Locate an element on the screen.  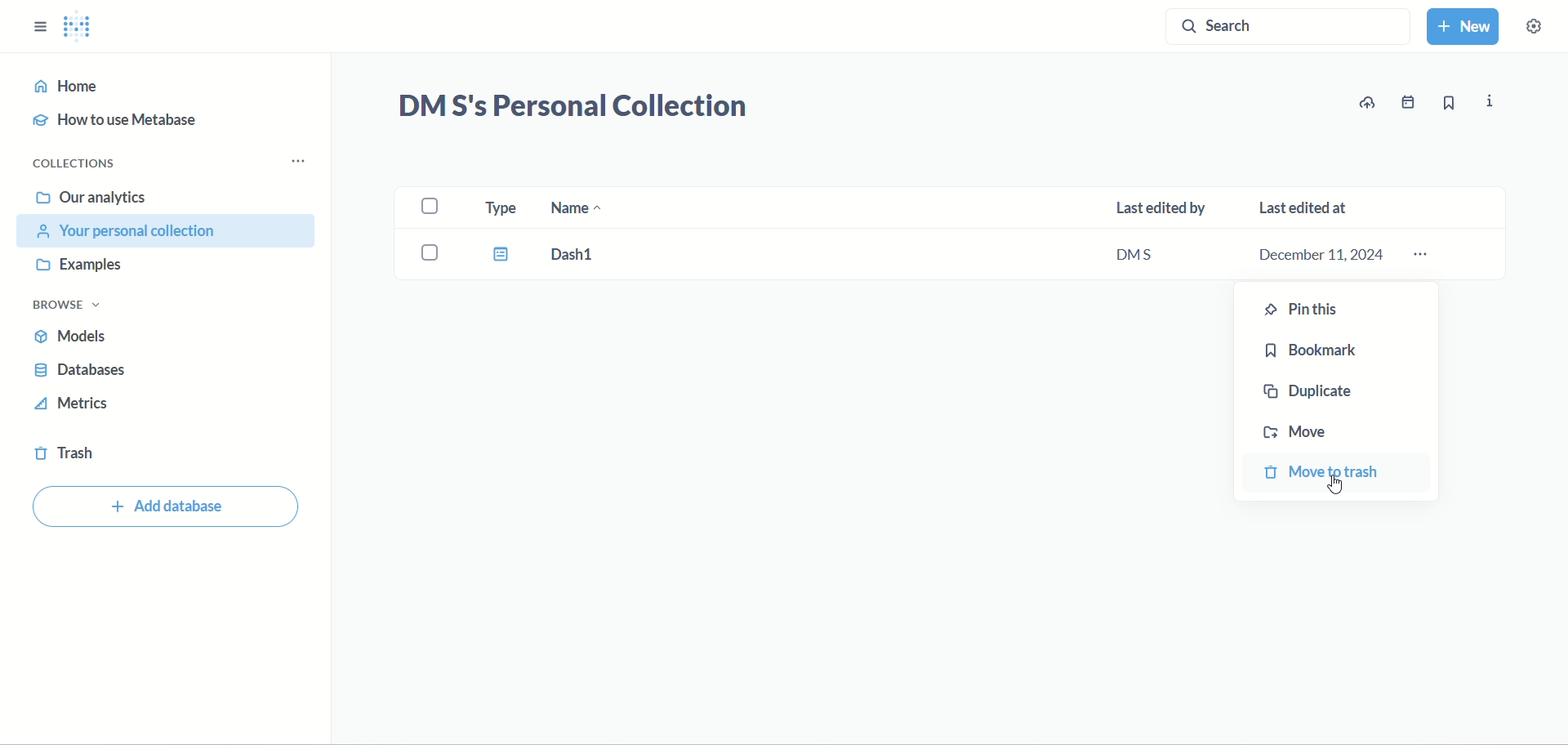
event is located at coordinates (1410, 102).